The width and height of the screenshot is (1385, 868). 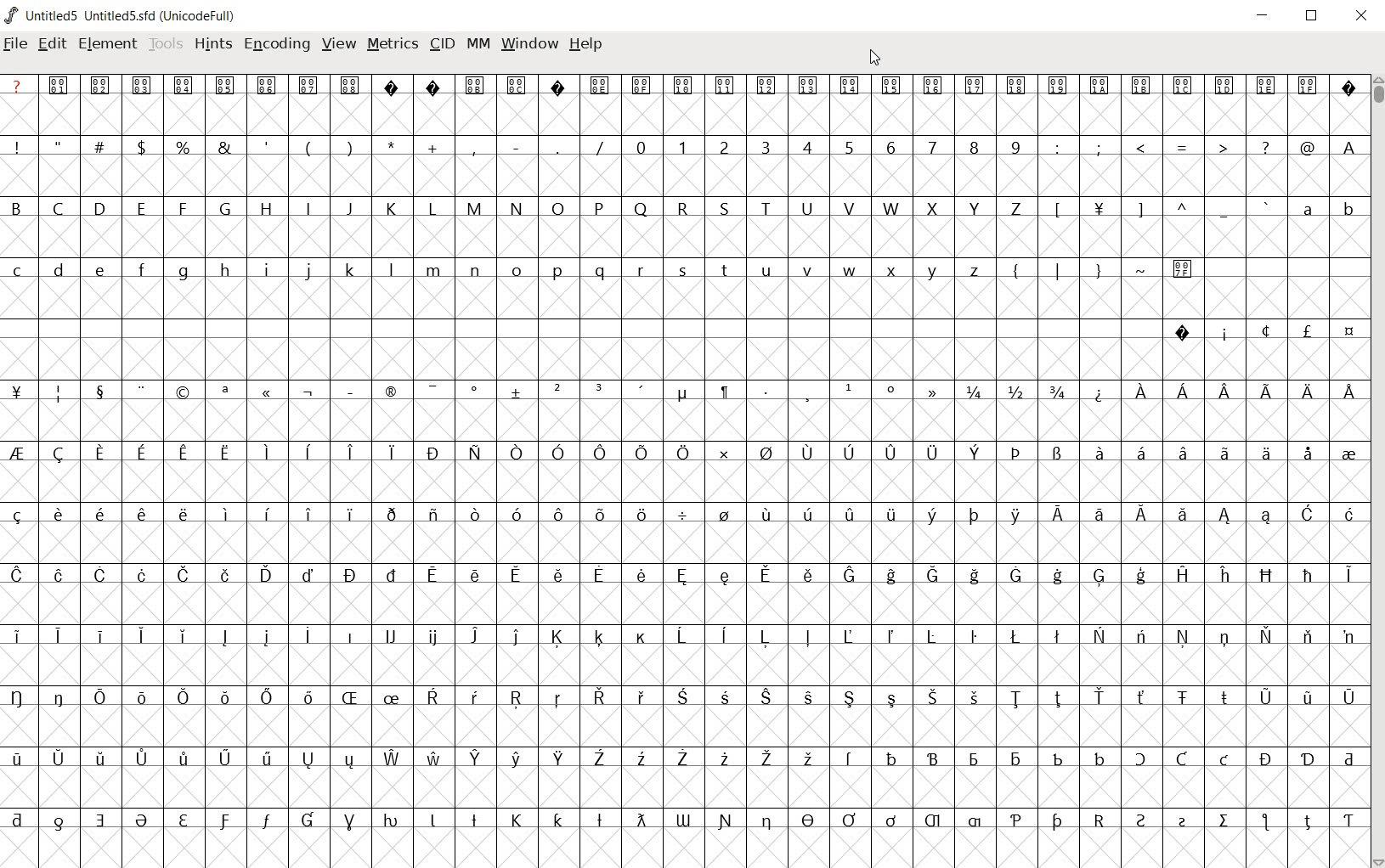 I want to click on Symbol, so click(x=228, y=450).